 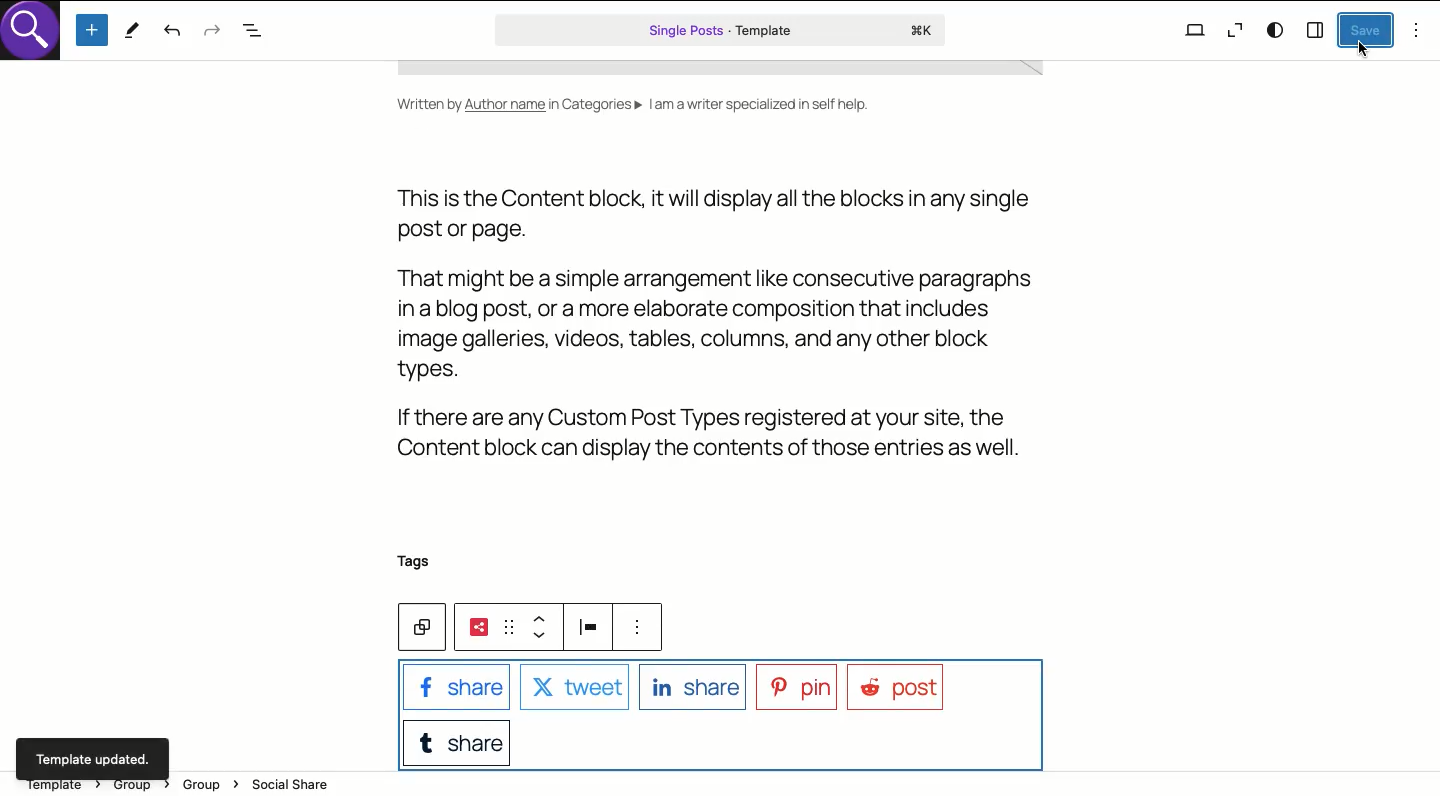 What do you see at coordinates (1367, 49) in the screenshot?
I see `cursor` at bounding box center [1367, 49].